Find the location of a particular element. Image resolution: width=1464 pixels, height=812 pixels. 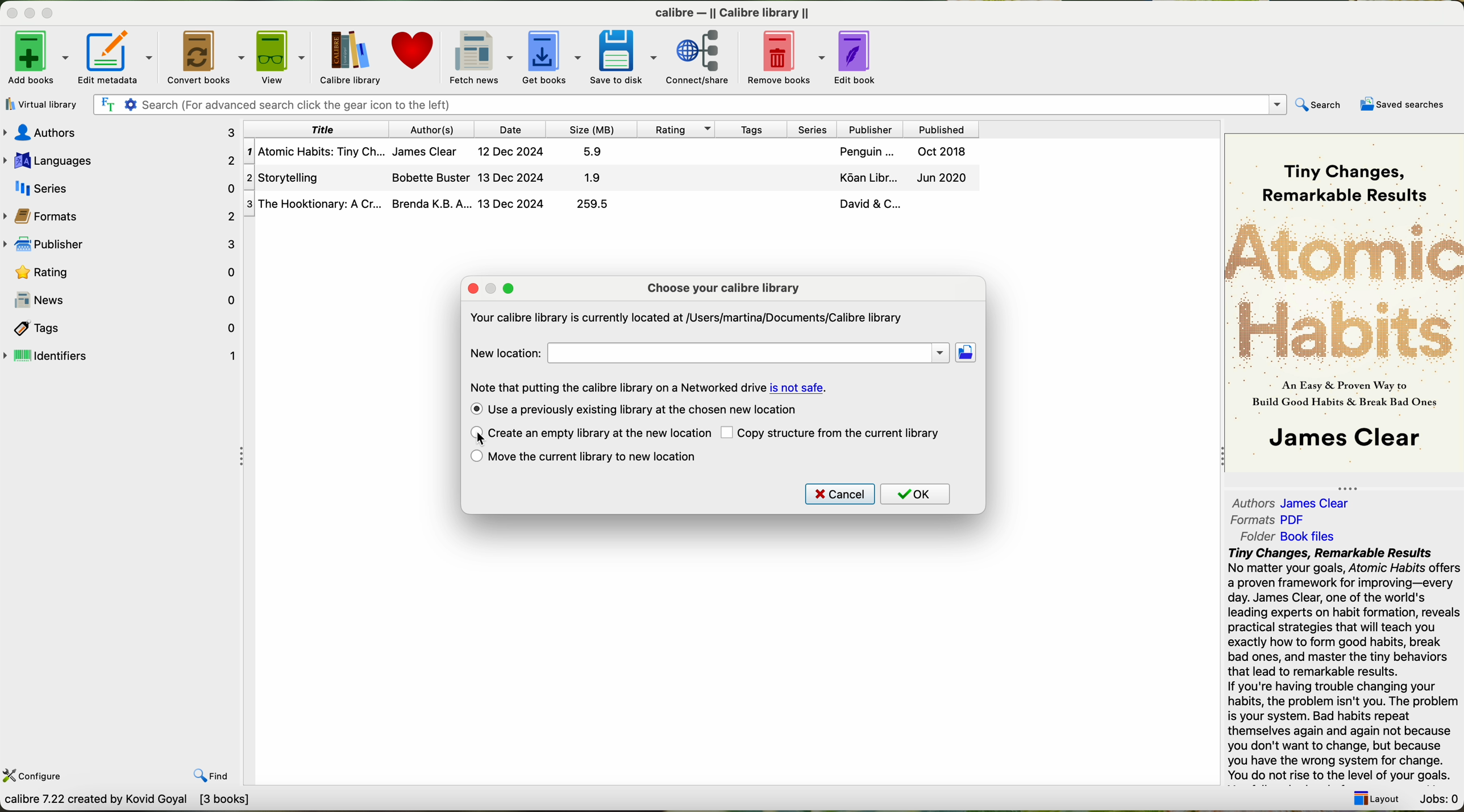

title is located at coordinates (318, 129).